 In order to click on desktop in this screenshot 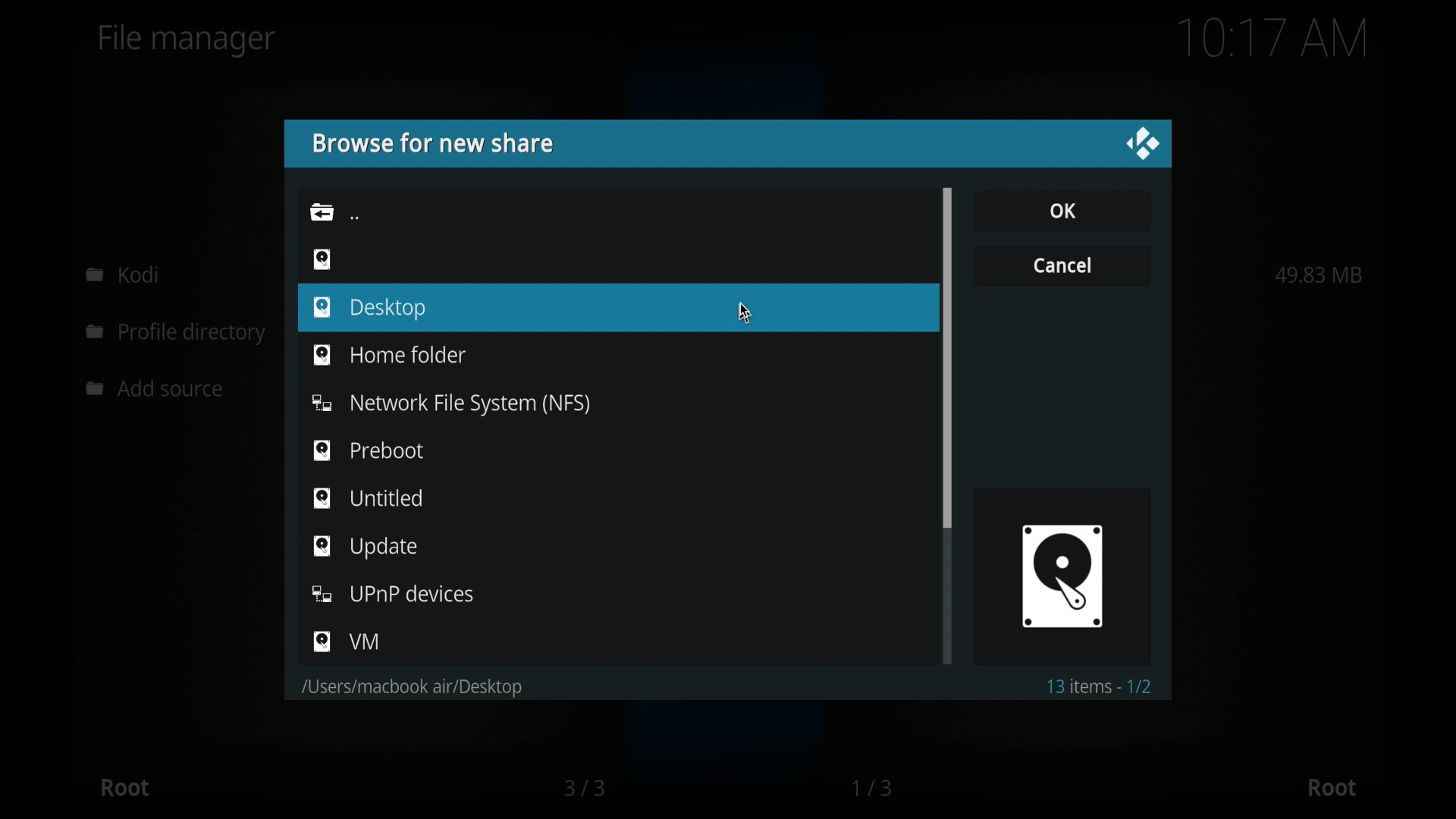, I will do `click(369, 309)`.